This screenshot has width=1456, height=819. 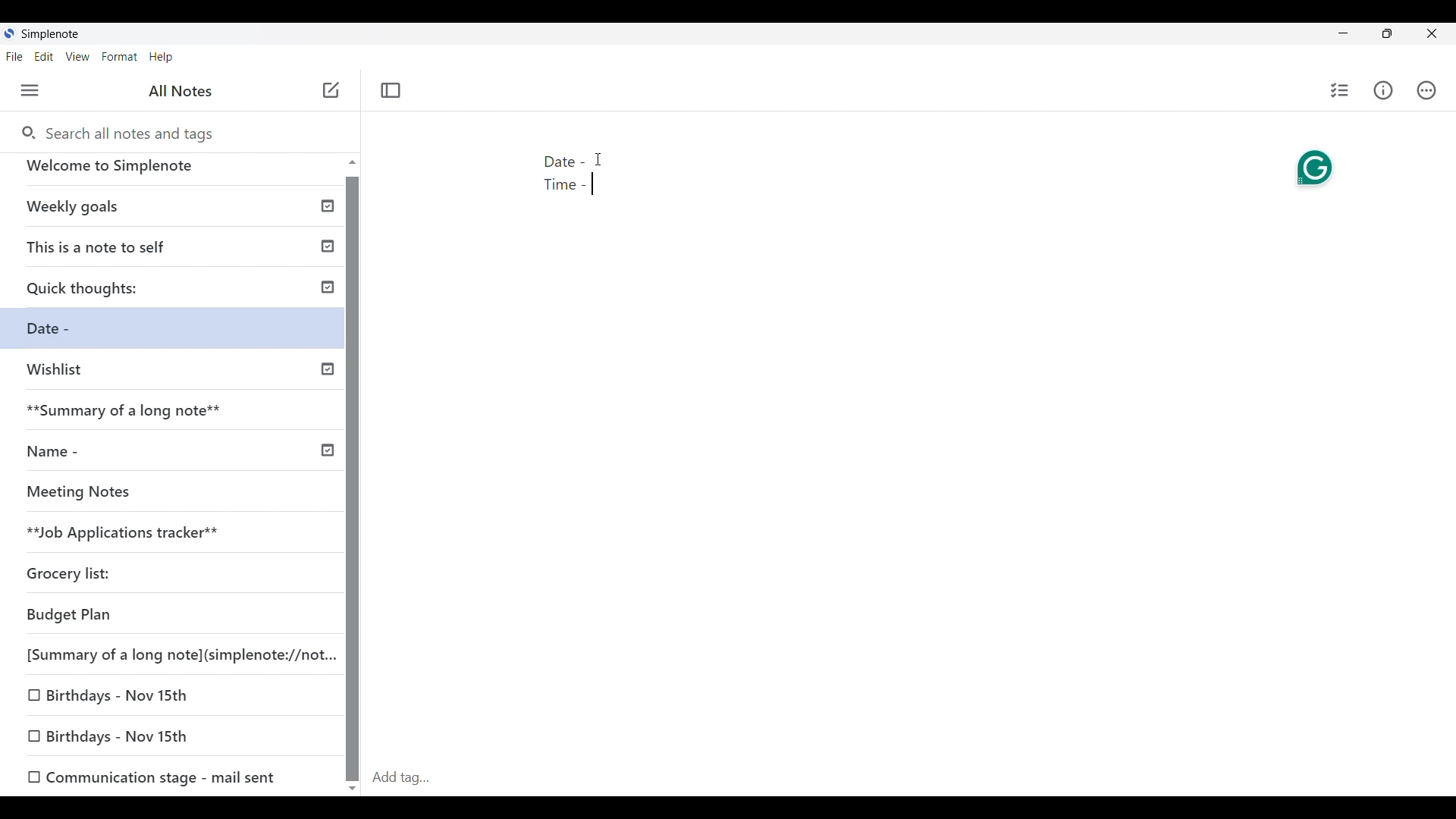 What do you see at coordinates (1343, 33) in the screenshot?
I see `Minimize` at bounding box center [1343, 33].